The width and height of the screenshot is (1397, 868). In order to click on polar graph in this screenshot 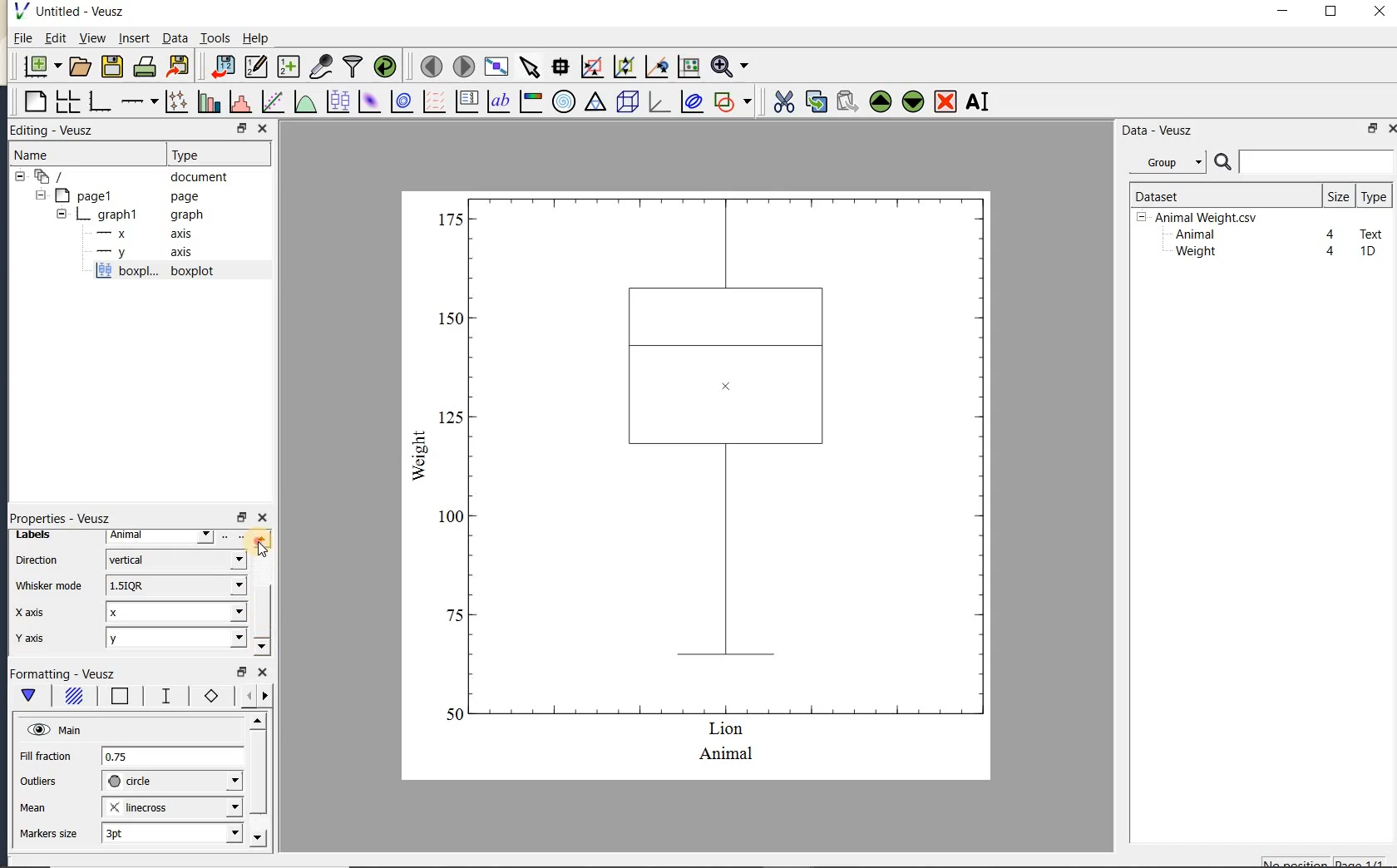, I will do `click(563, 101)`.